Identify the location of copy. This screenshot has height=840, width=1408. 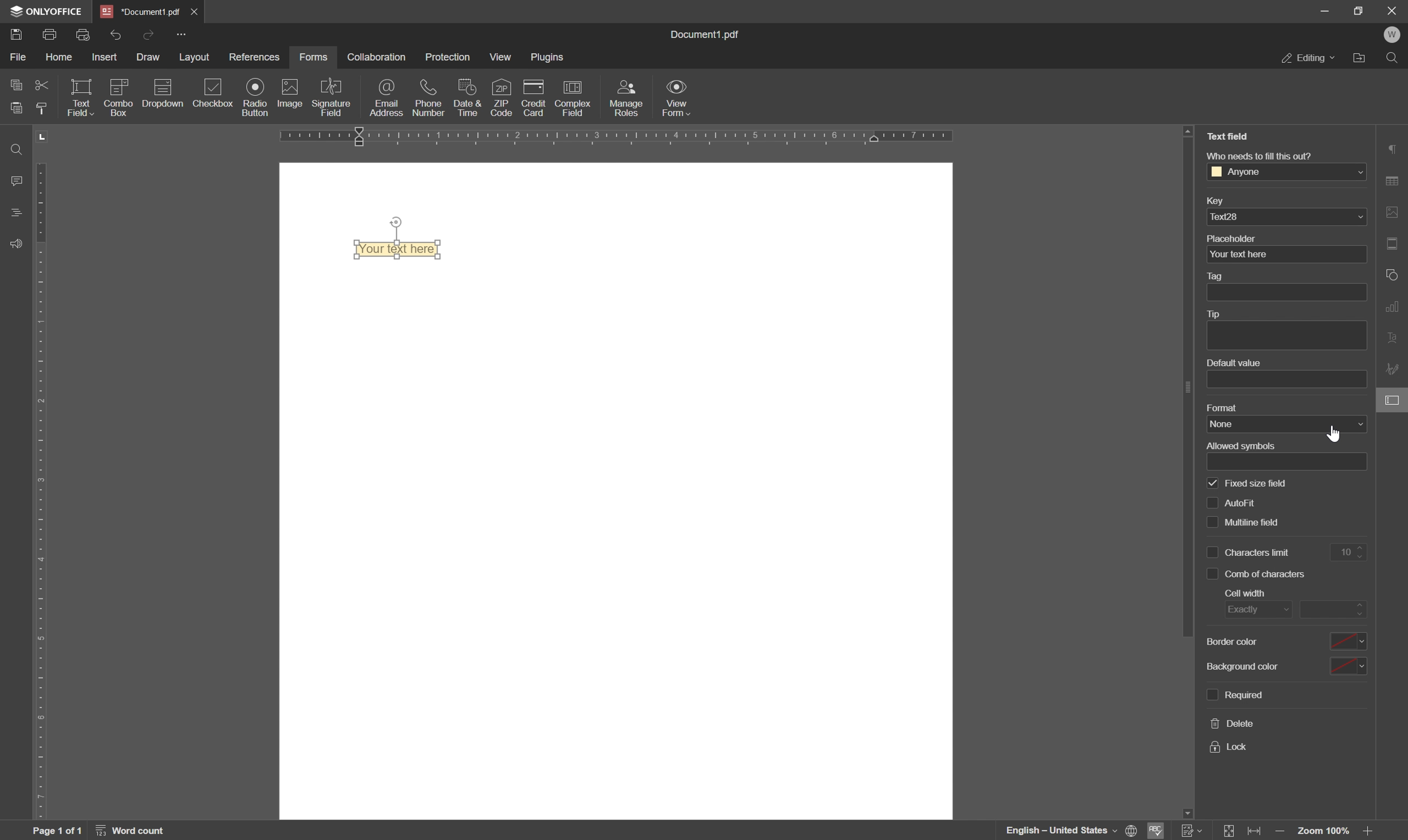
(15, 85).